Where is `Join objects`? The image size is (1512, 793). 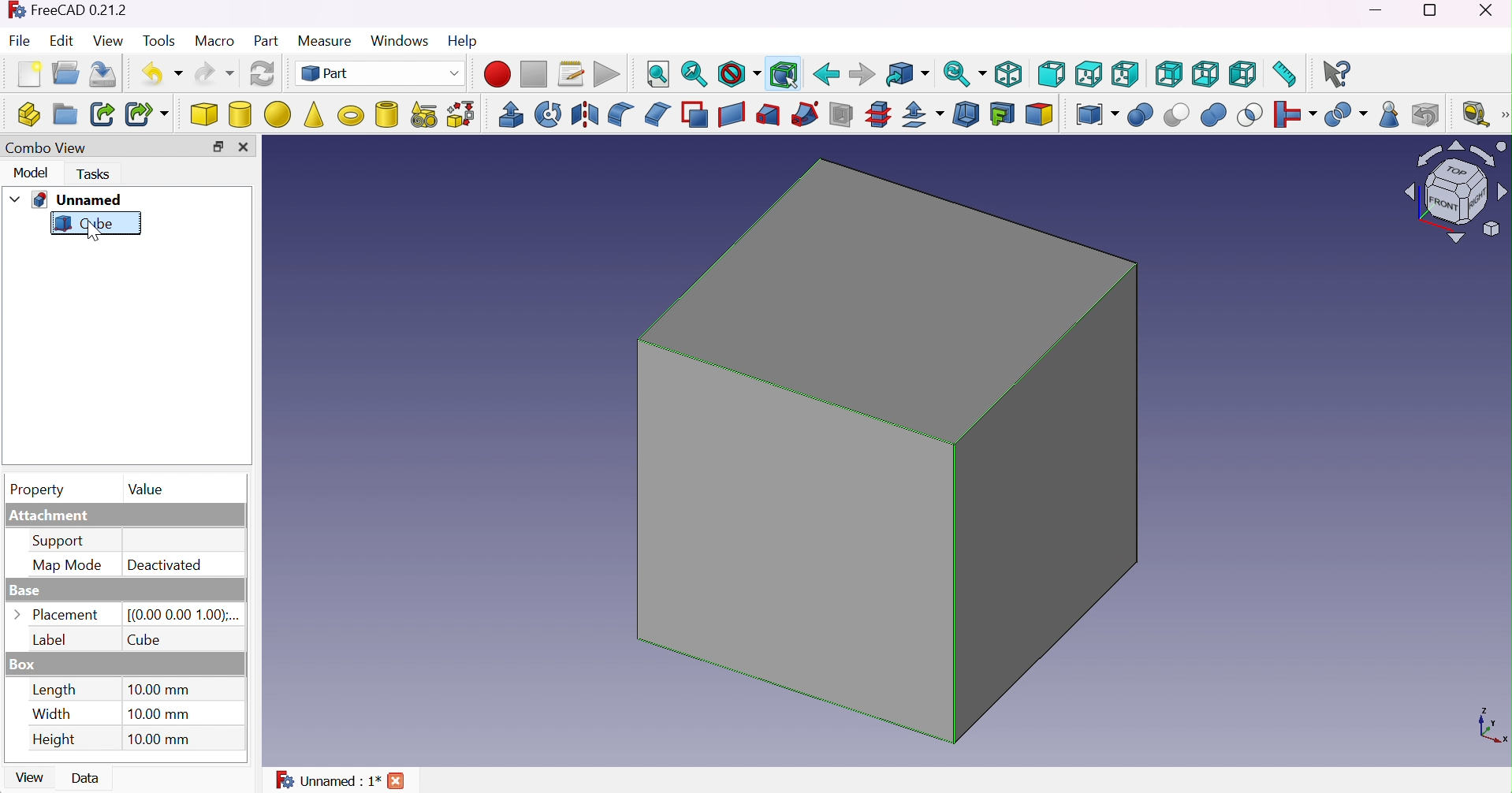 Join objects is located at coordinates (1295, 114).